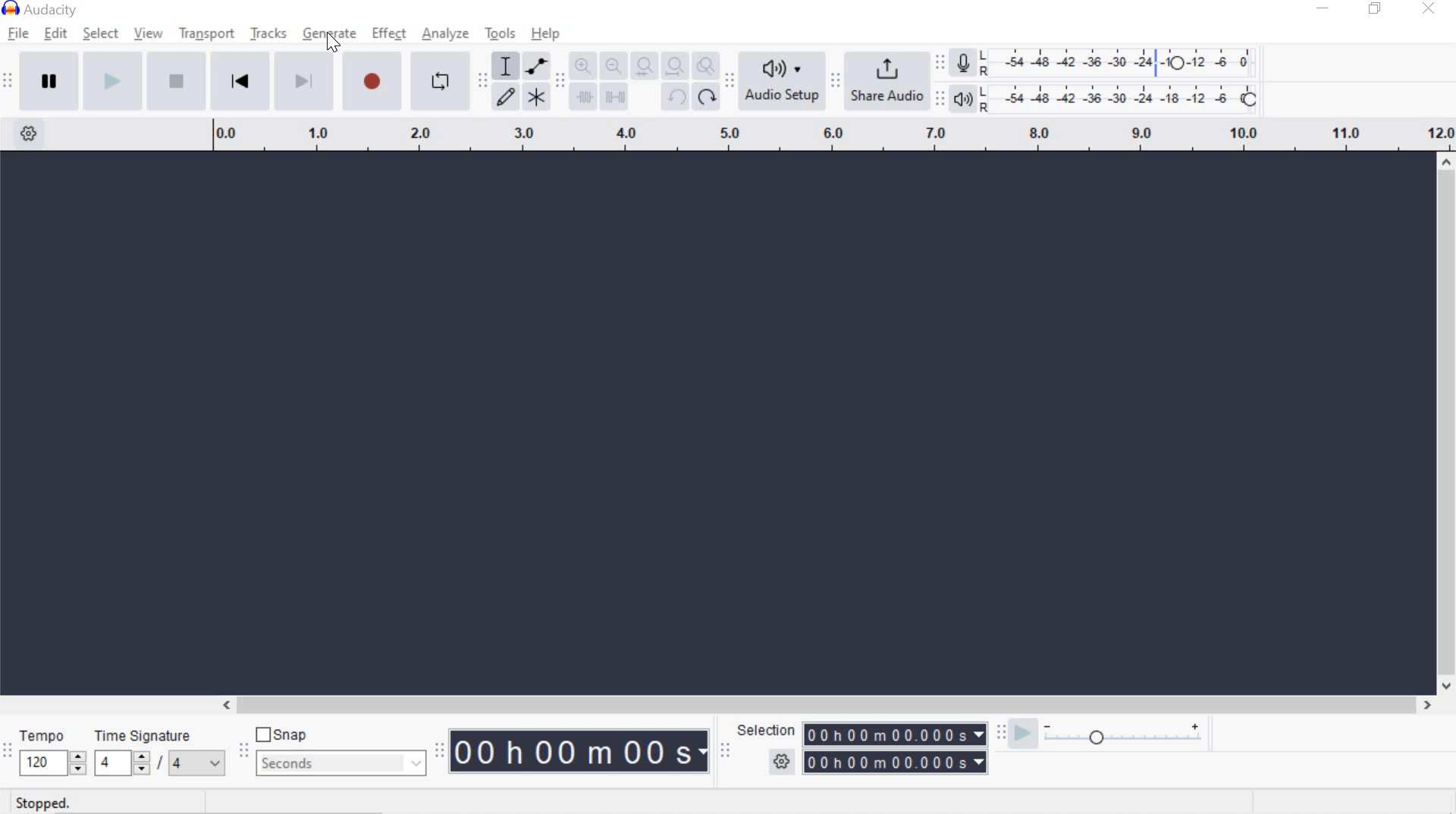 The width and height of the screenshot is (1456, 814). I want to click on Audio setup, so click(783, 80).